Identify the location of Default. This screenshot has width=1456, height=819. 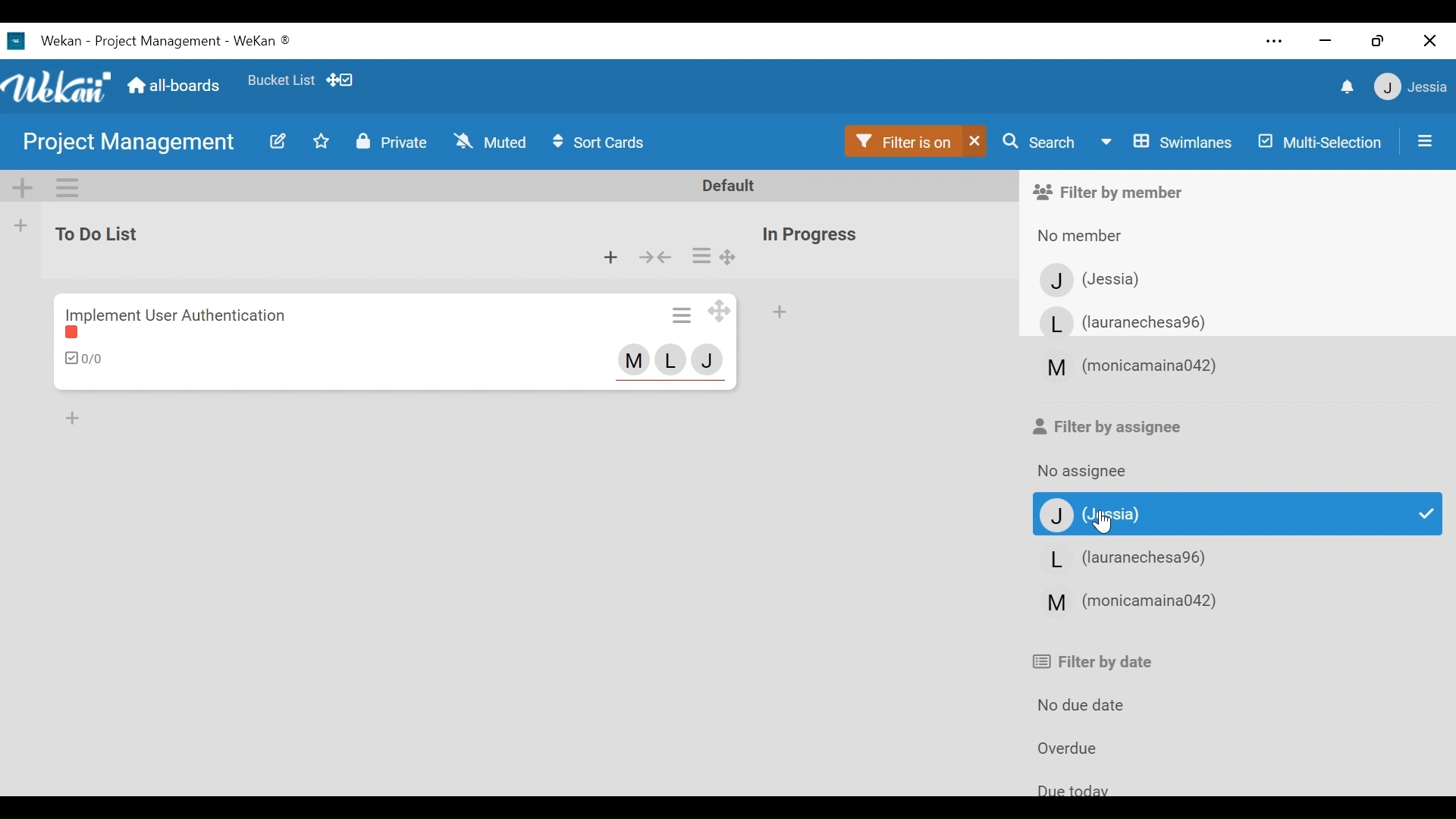
(724, 185).